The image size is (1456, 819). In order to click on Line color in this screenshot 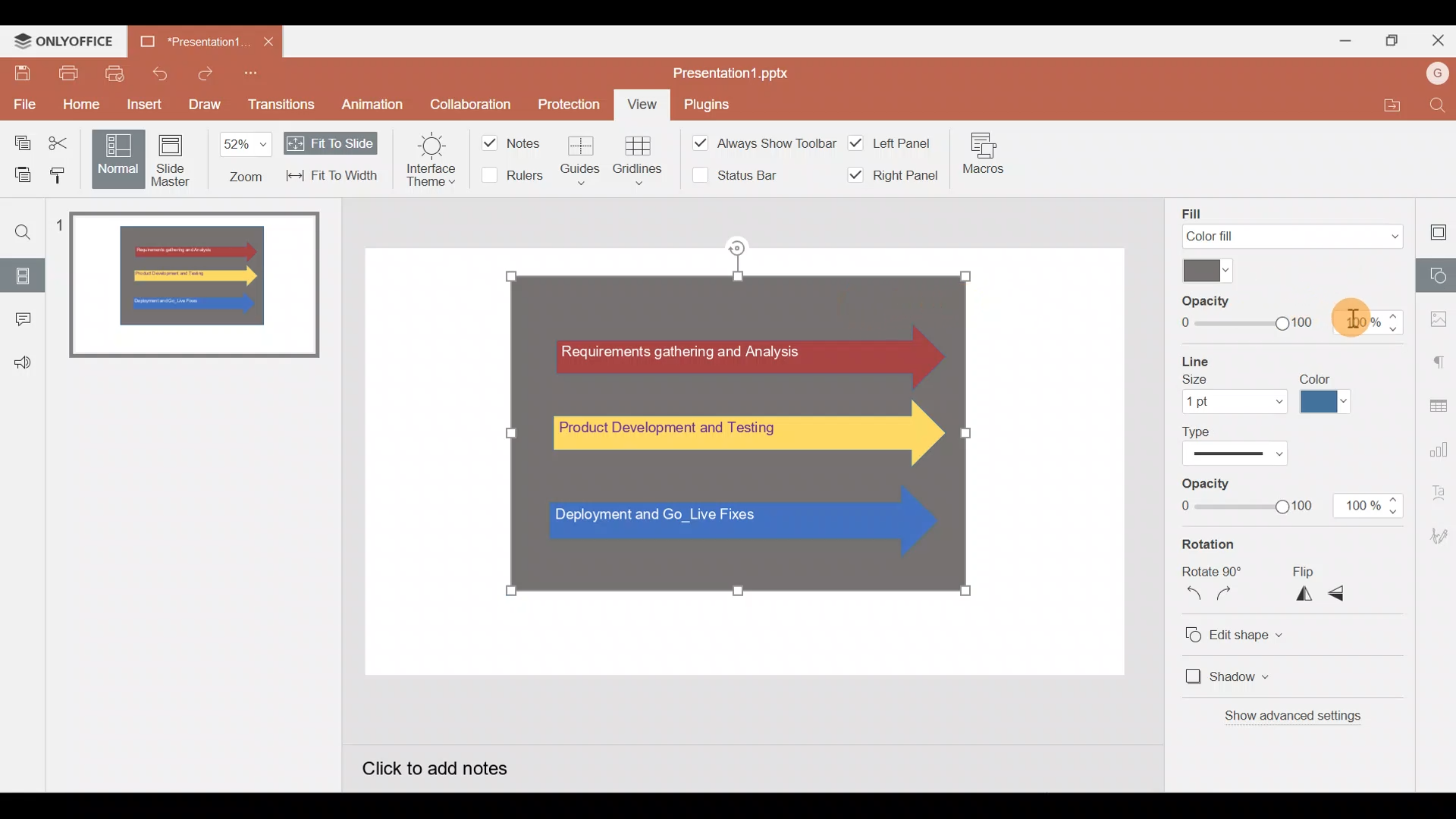, I will do `click(1328, 395)`.